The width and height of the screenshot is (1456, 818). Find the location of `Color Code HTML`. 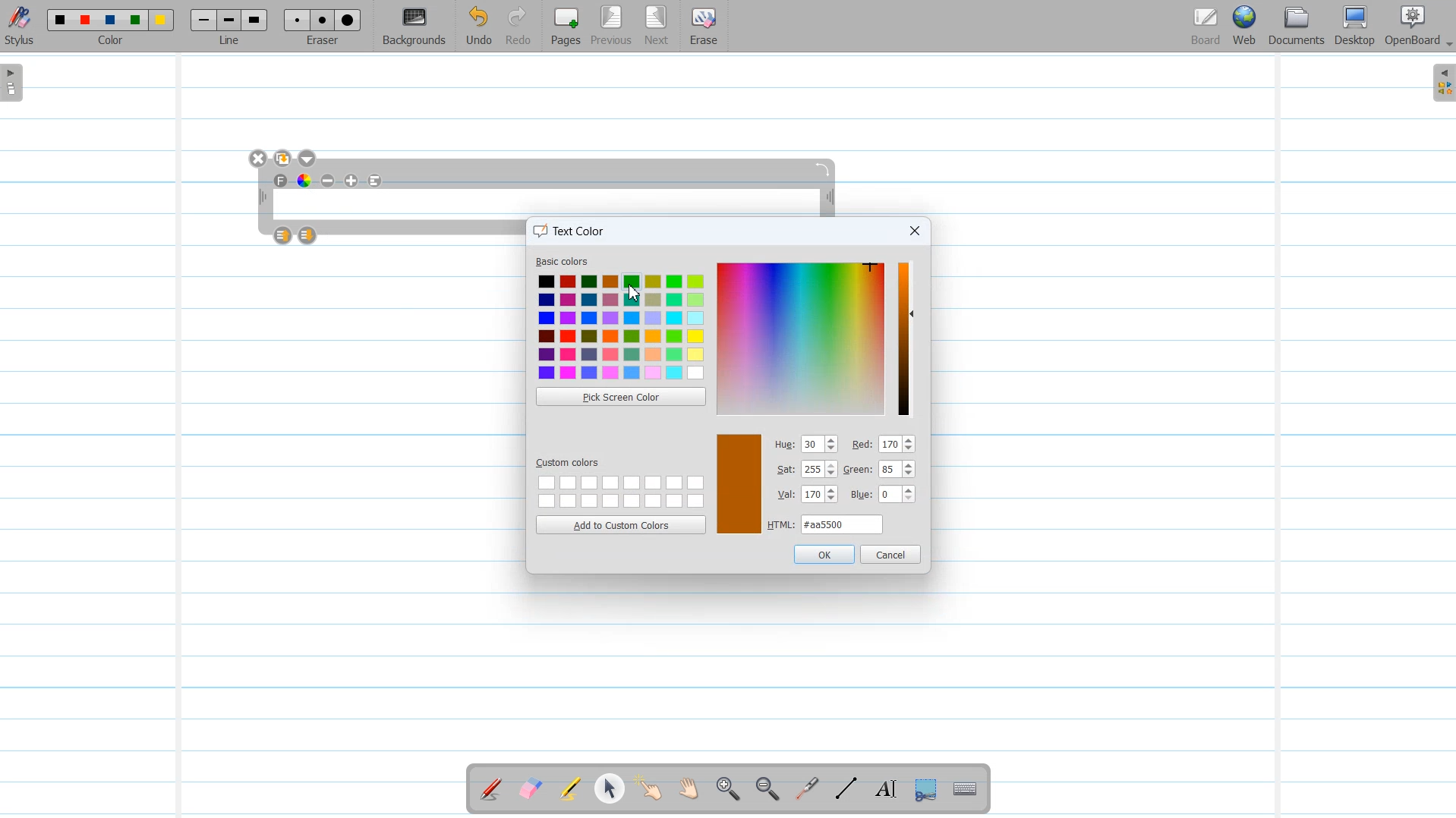

Color Code HTML is located at coordinates (826, 524).